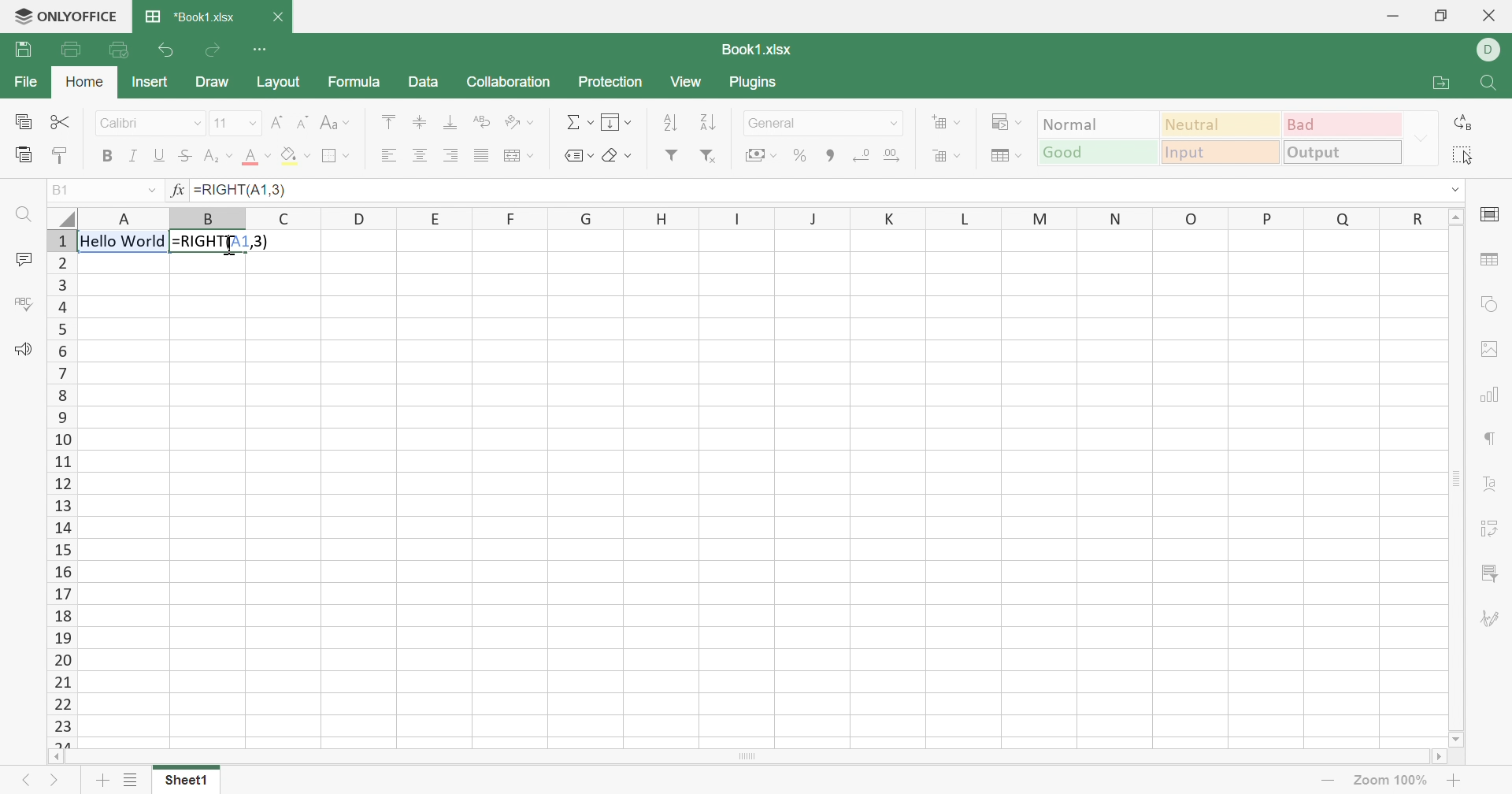  I want to click on Font, so click(151, 123).